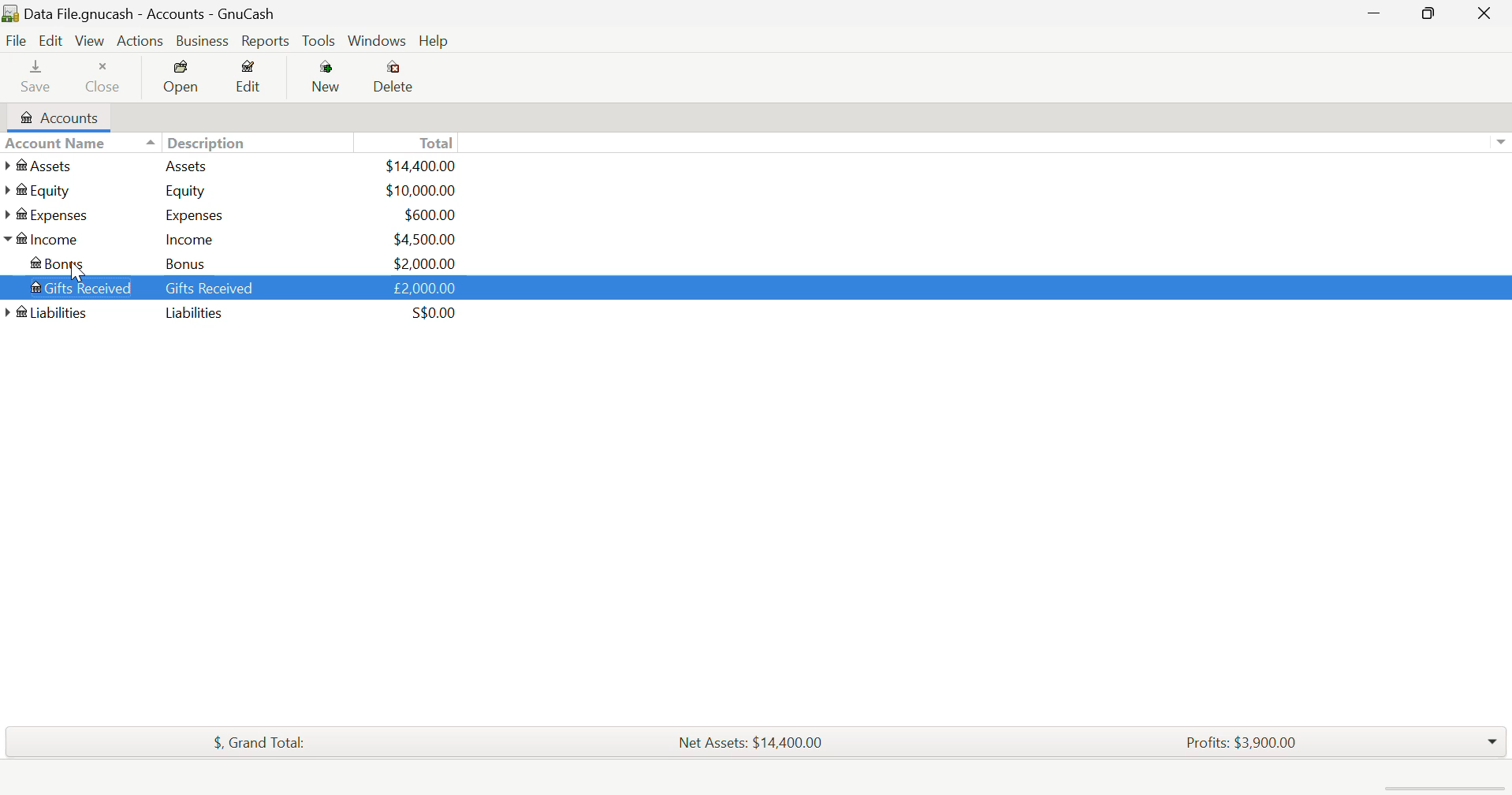 Image resolution: width=1512 pixels, height=795 pixels. Describe the element at coordinates (1377, 13) in the screenshot. I see `Restore Down` at that location.